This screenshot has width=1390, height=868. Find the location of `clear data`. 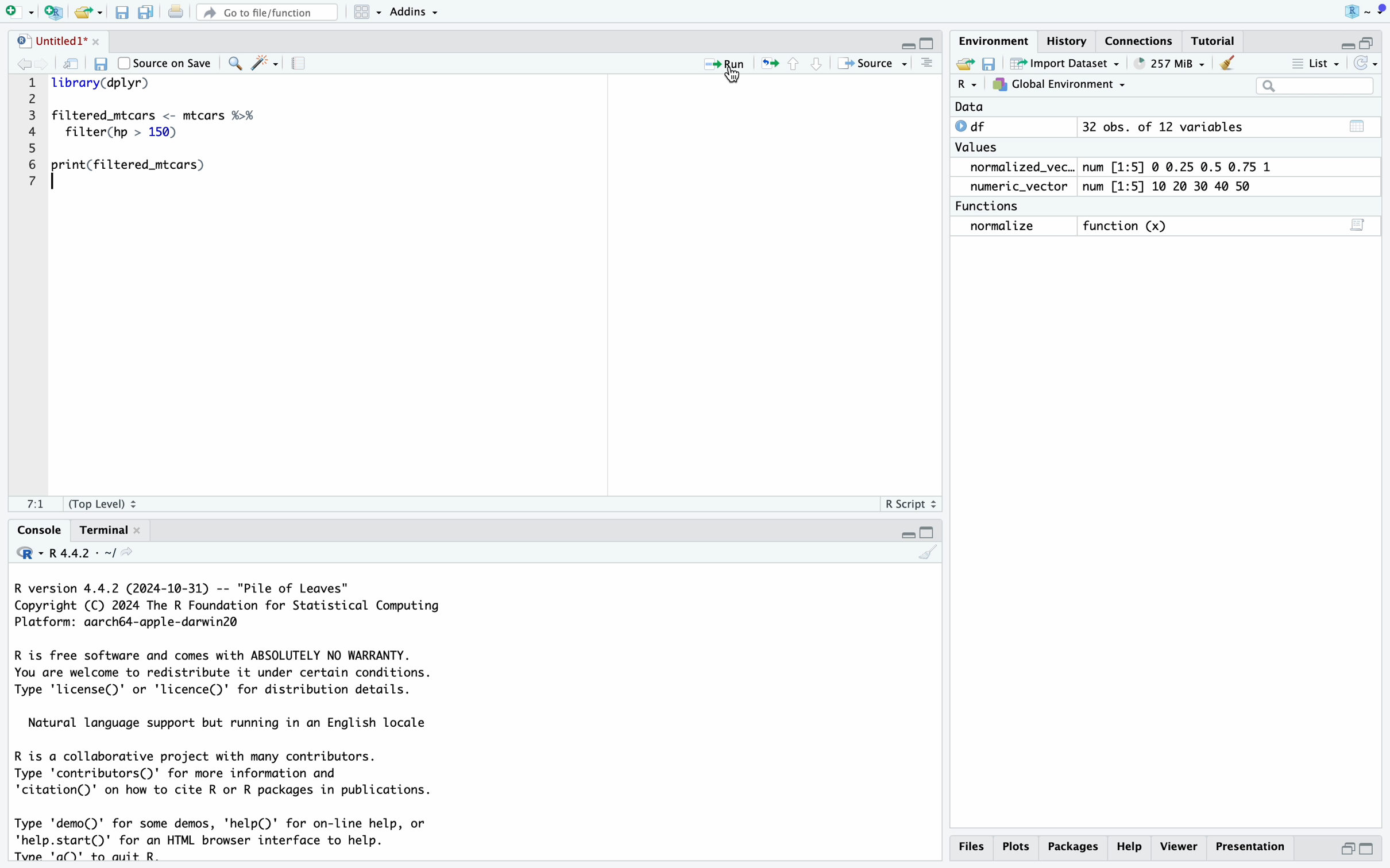

clear data is located at coordinates (1230, 62).